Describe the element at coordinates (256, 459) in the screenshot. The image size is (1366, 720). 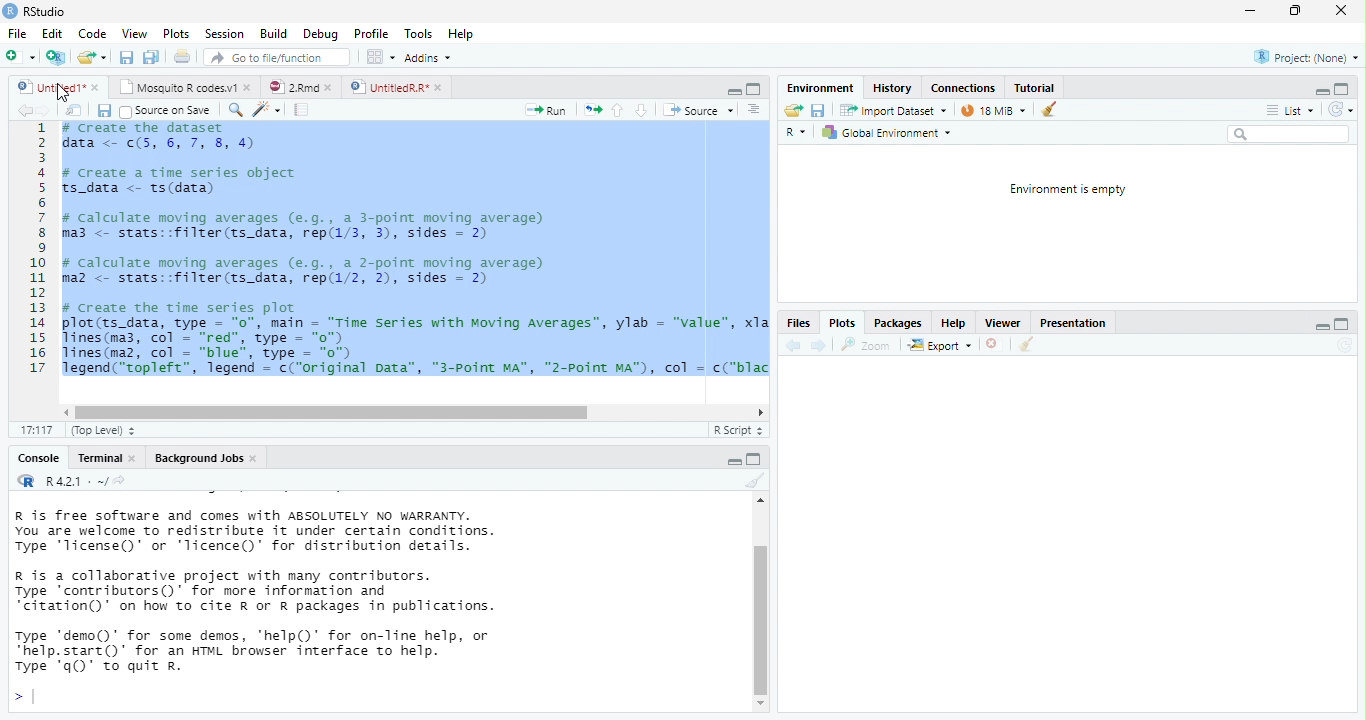
I see `close` at that location.